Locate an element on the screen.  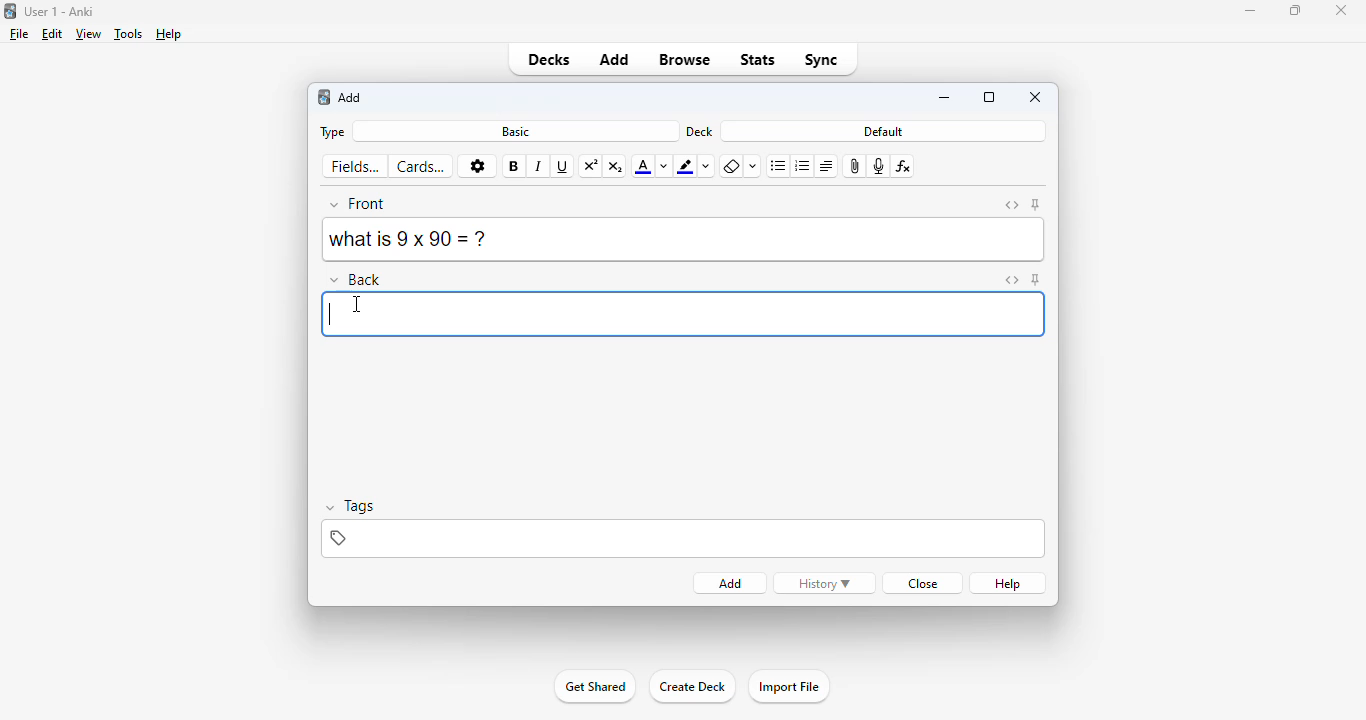
close is located at coordinates (1036, 96).